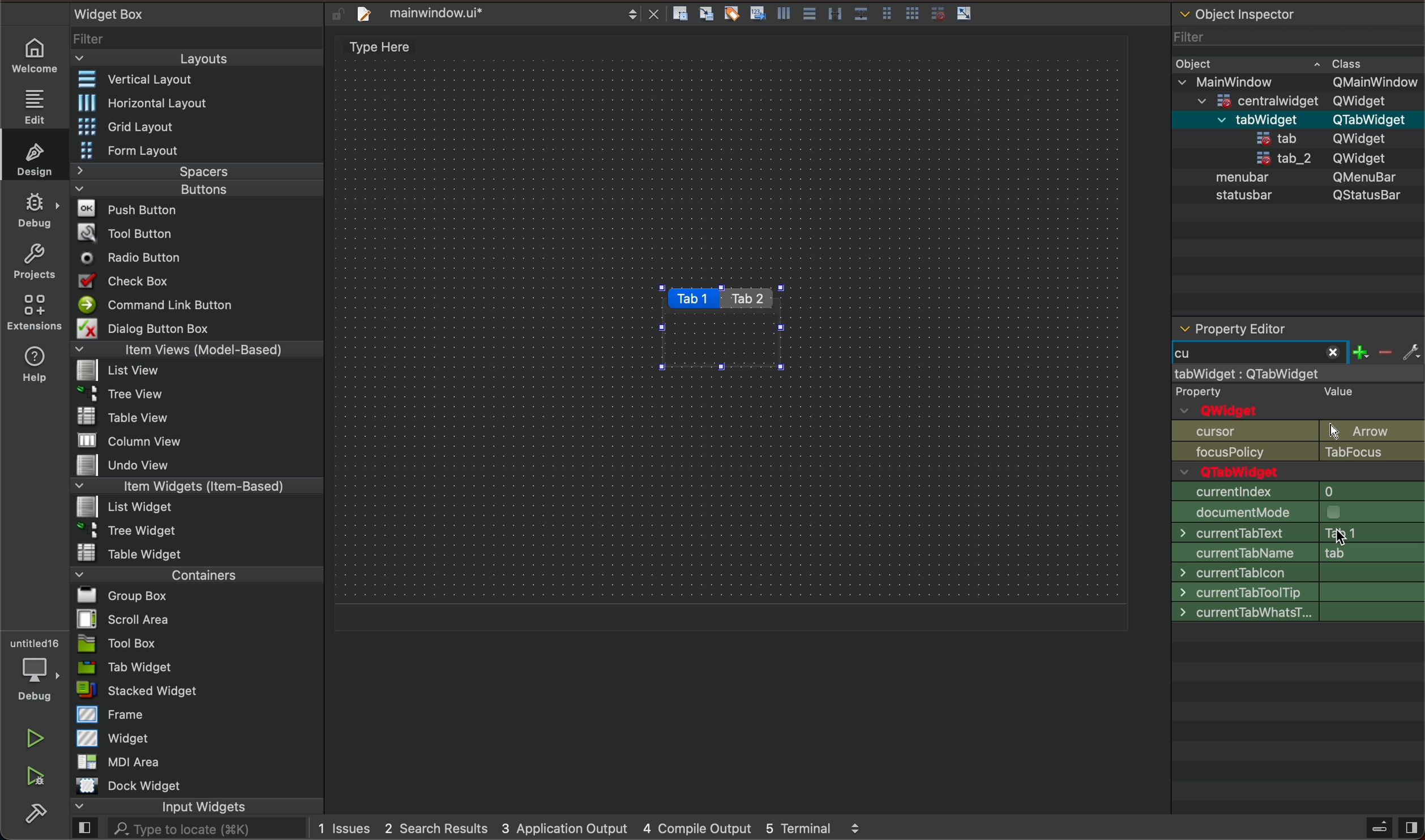 This screenshot has height=840, width=1425. I want to click on  list View, so click(119, 371).